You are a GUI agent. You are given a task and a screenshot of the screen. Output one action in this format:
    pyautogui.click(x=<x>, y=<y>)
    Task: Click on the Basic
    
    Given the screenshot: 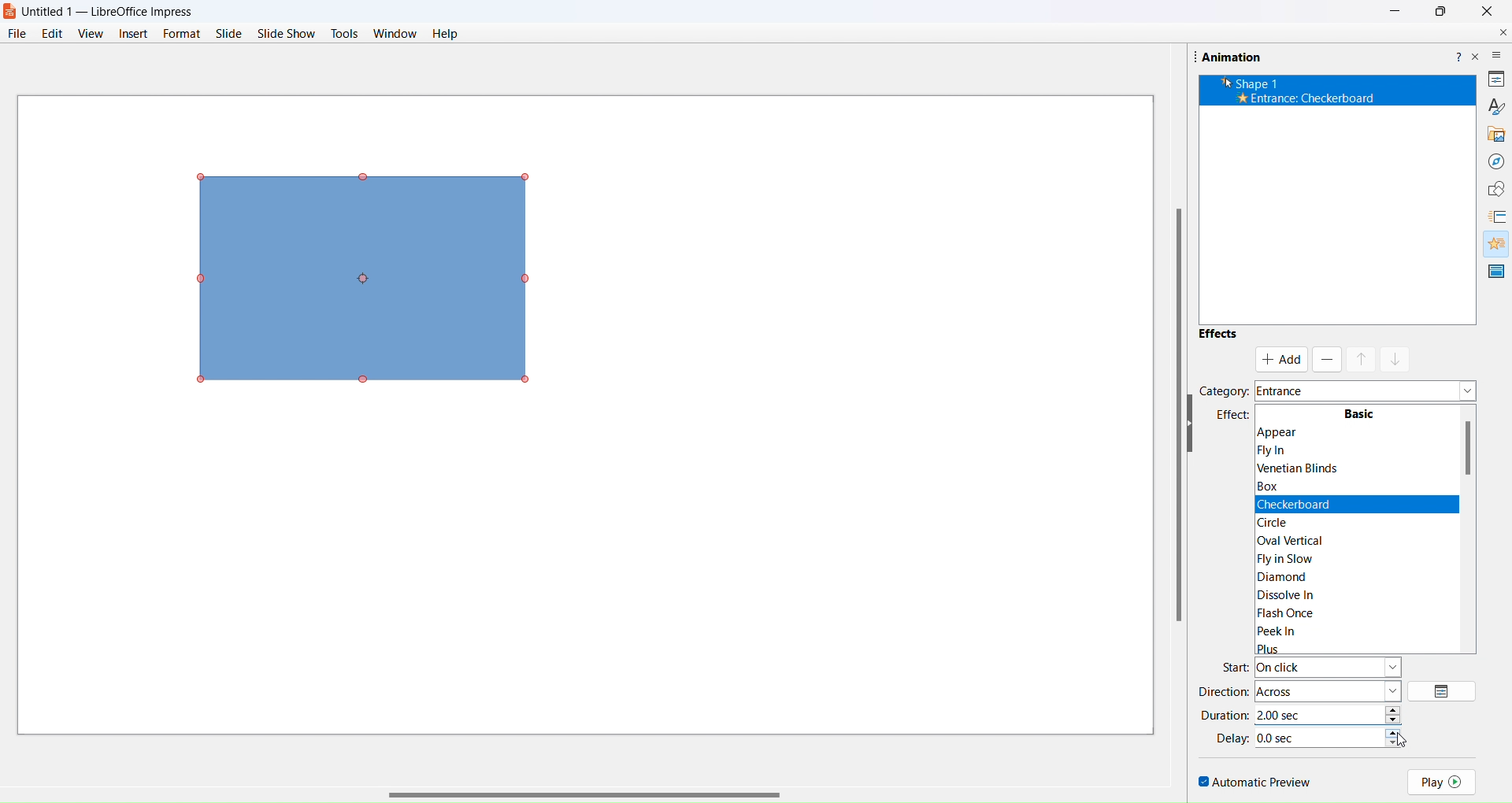 What is the action you would take?
    pyautogui.click(x=1358, y=416)
    